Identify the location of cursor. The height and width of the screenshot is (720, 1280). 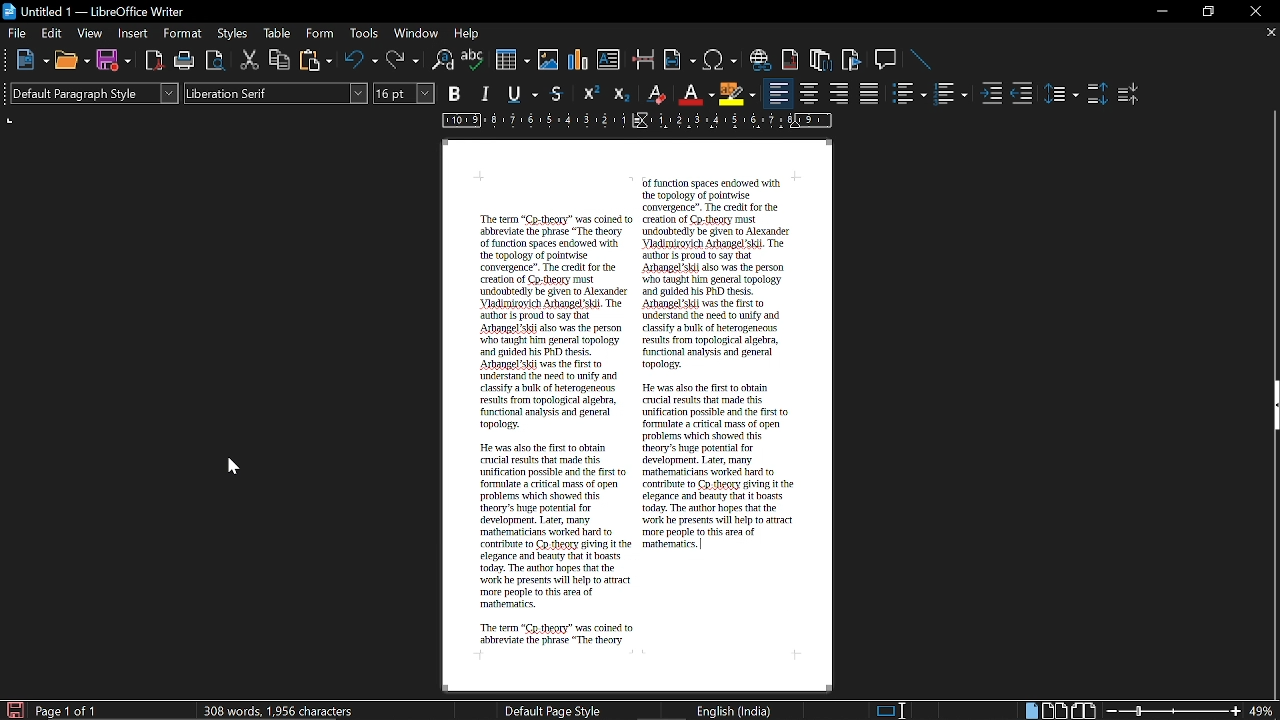
(229, 469).